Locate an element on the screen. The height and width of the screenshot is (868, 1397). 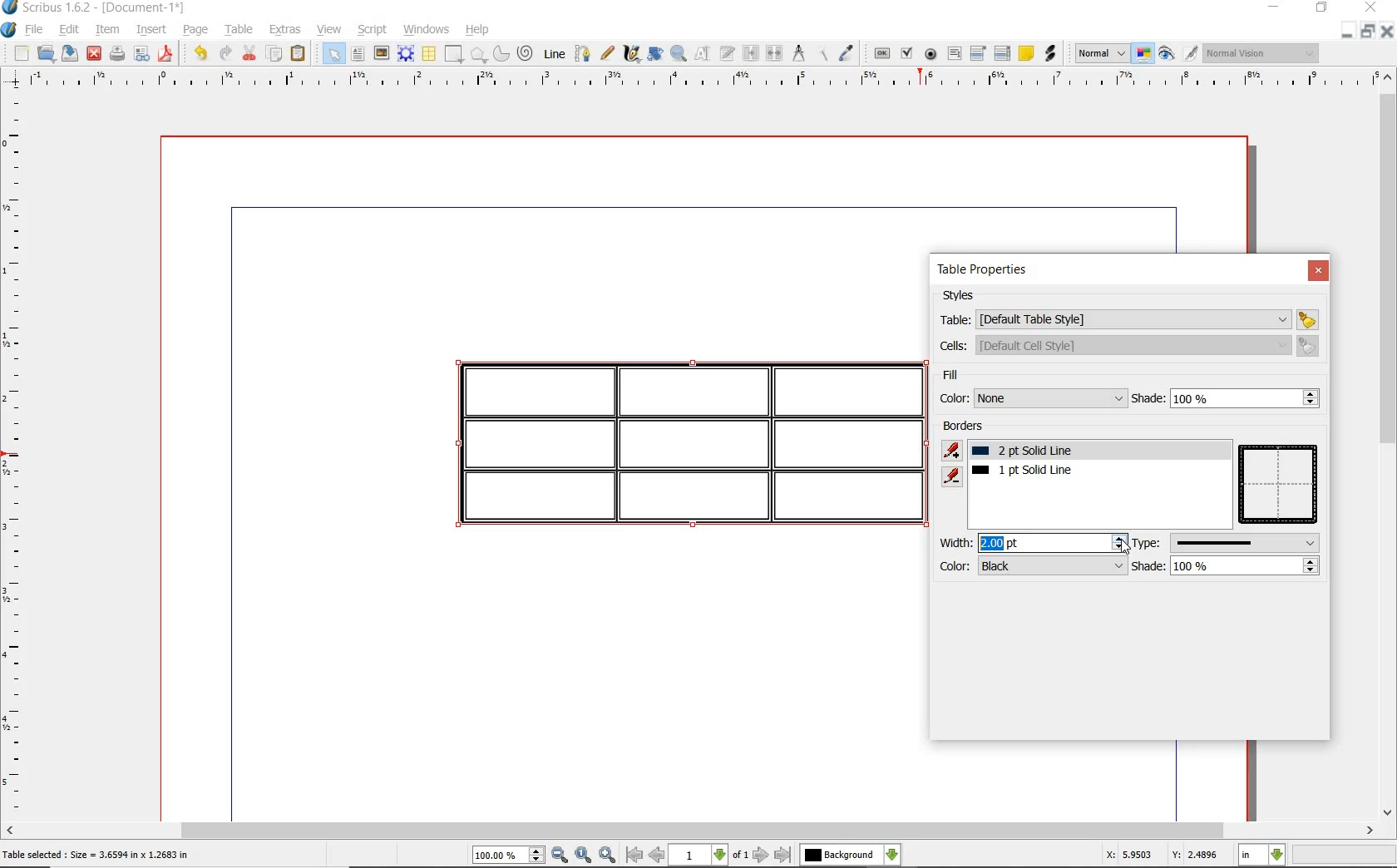
windows is located at coordinates (427, 29).